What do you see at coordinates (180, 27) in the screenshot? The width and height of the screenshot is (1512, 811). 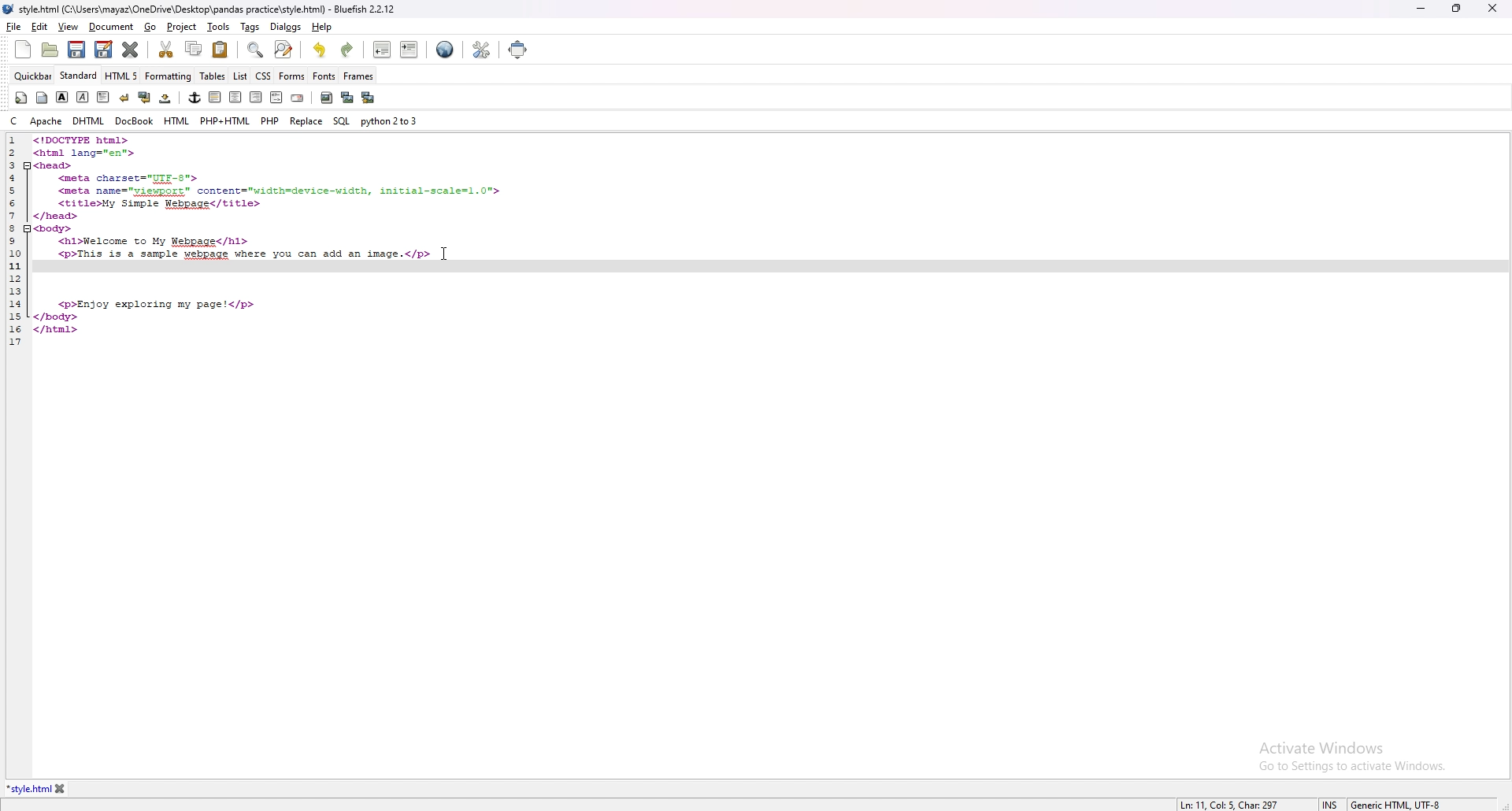 I see `project` at bounding box center [180, 27].